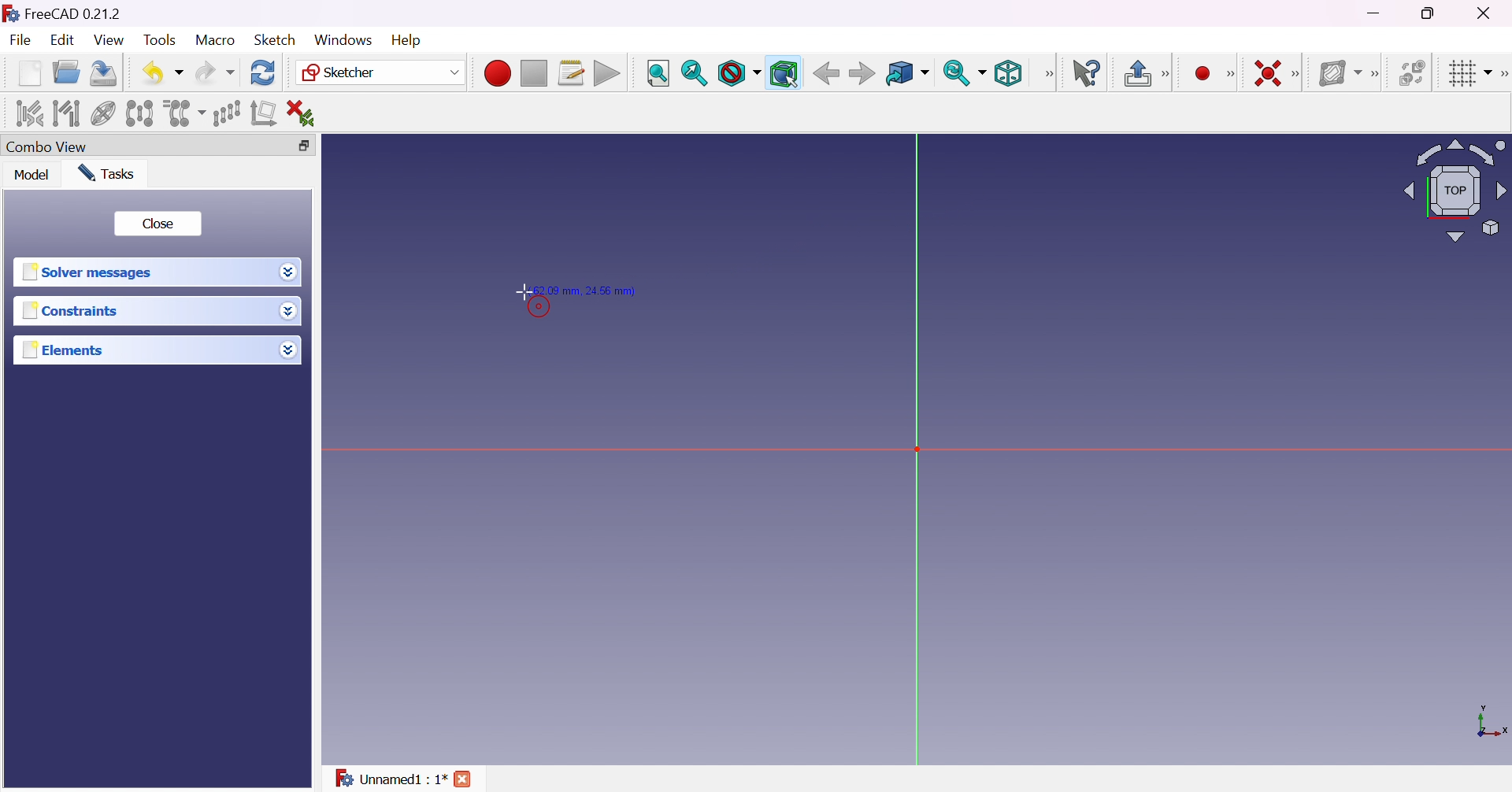  I want to click on Isometric, so click(1007, 75).